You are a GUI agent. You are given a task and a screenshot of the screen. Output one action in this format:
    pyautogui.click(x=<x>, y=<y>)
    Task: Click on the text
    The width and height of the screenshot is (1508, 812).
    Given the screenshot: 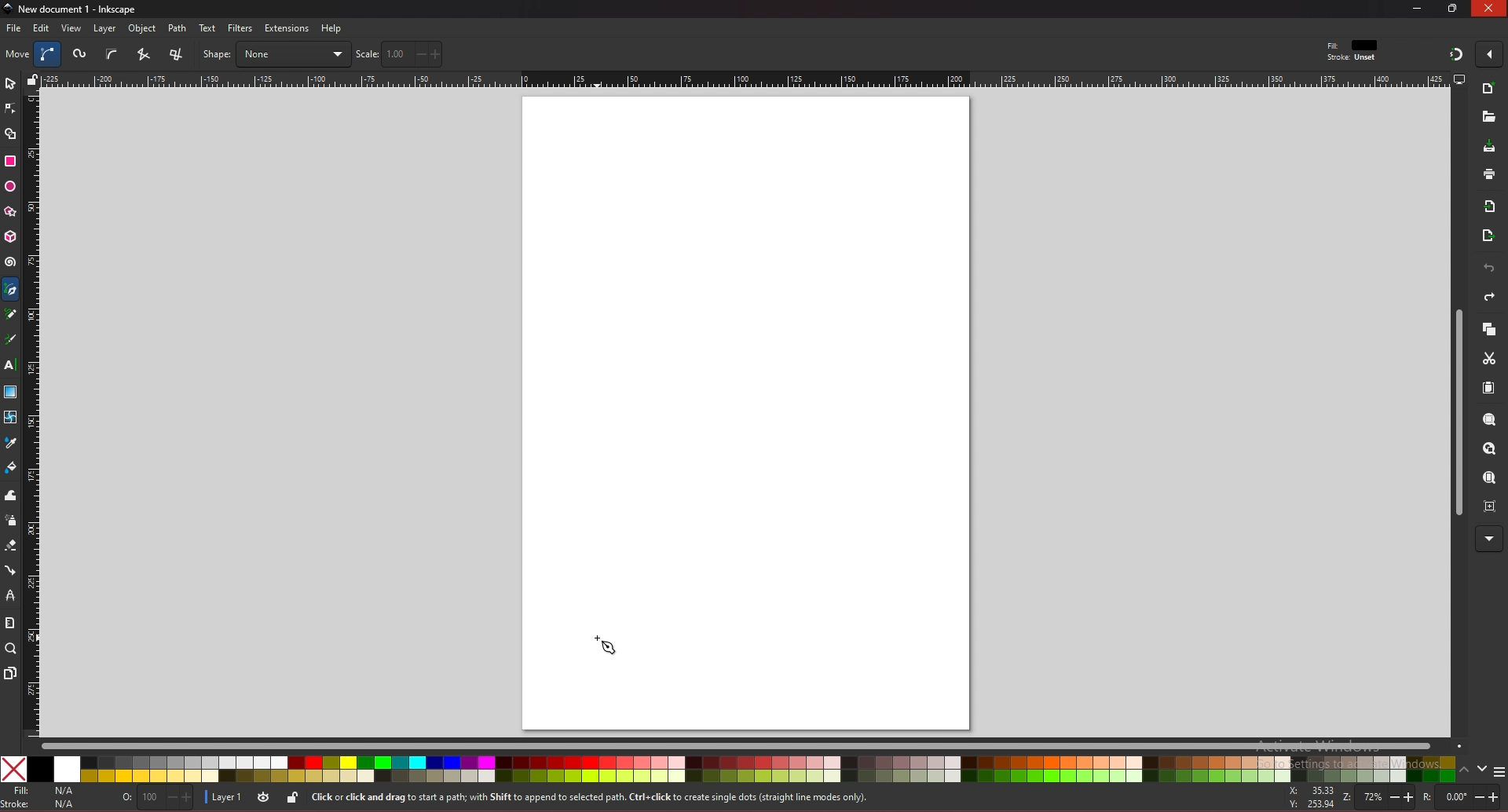 What is the action you would take?
    pyautogui.click(x=207, y=28)
    